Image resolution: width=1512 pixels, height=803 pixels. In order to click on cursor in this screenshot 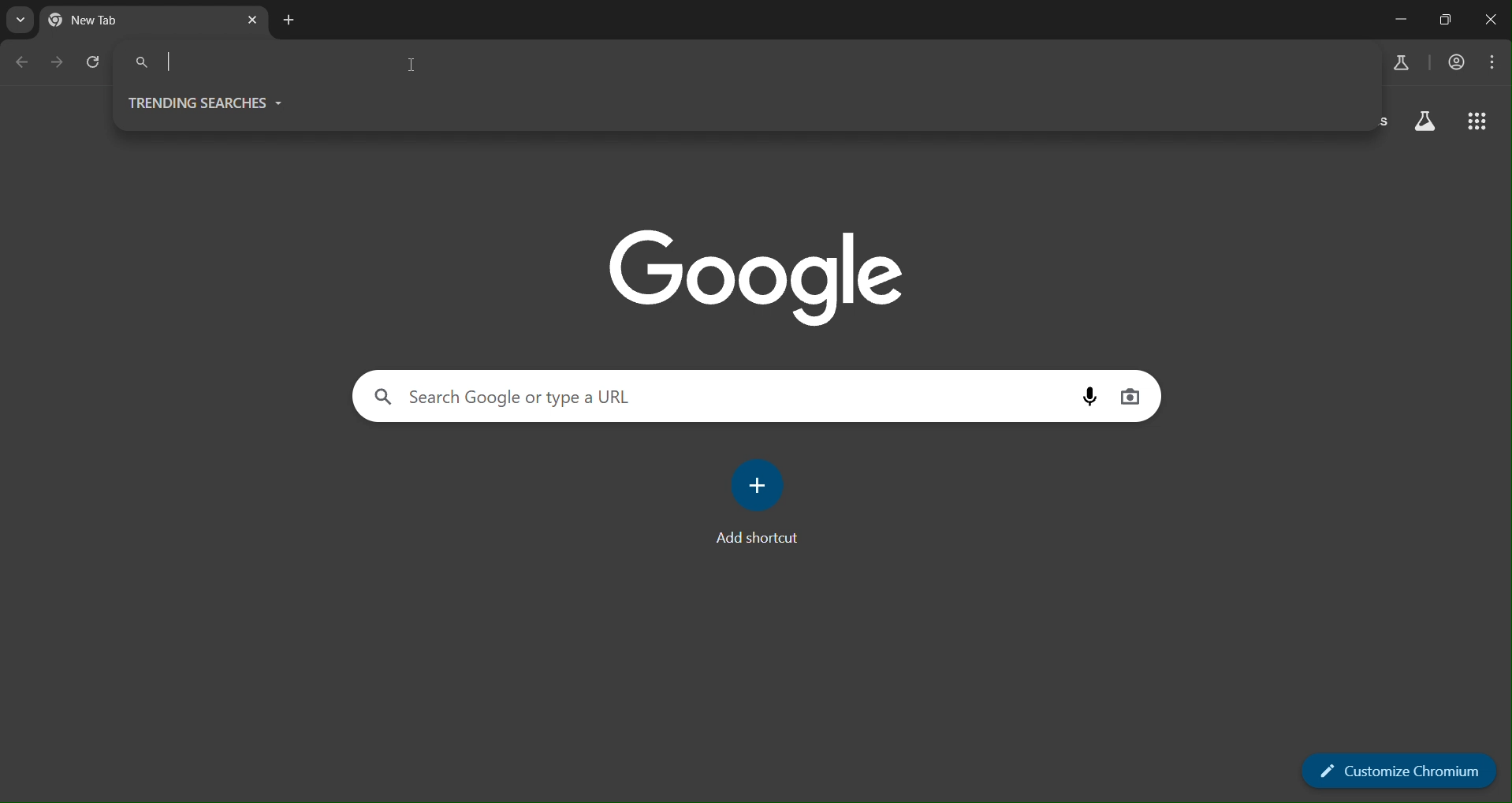, I will do `click(412, 69)`.